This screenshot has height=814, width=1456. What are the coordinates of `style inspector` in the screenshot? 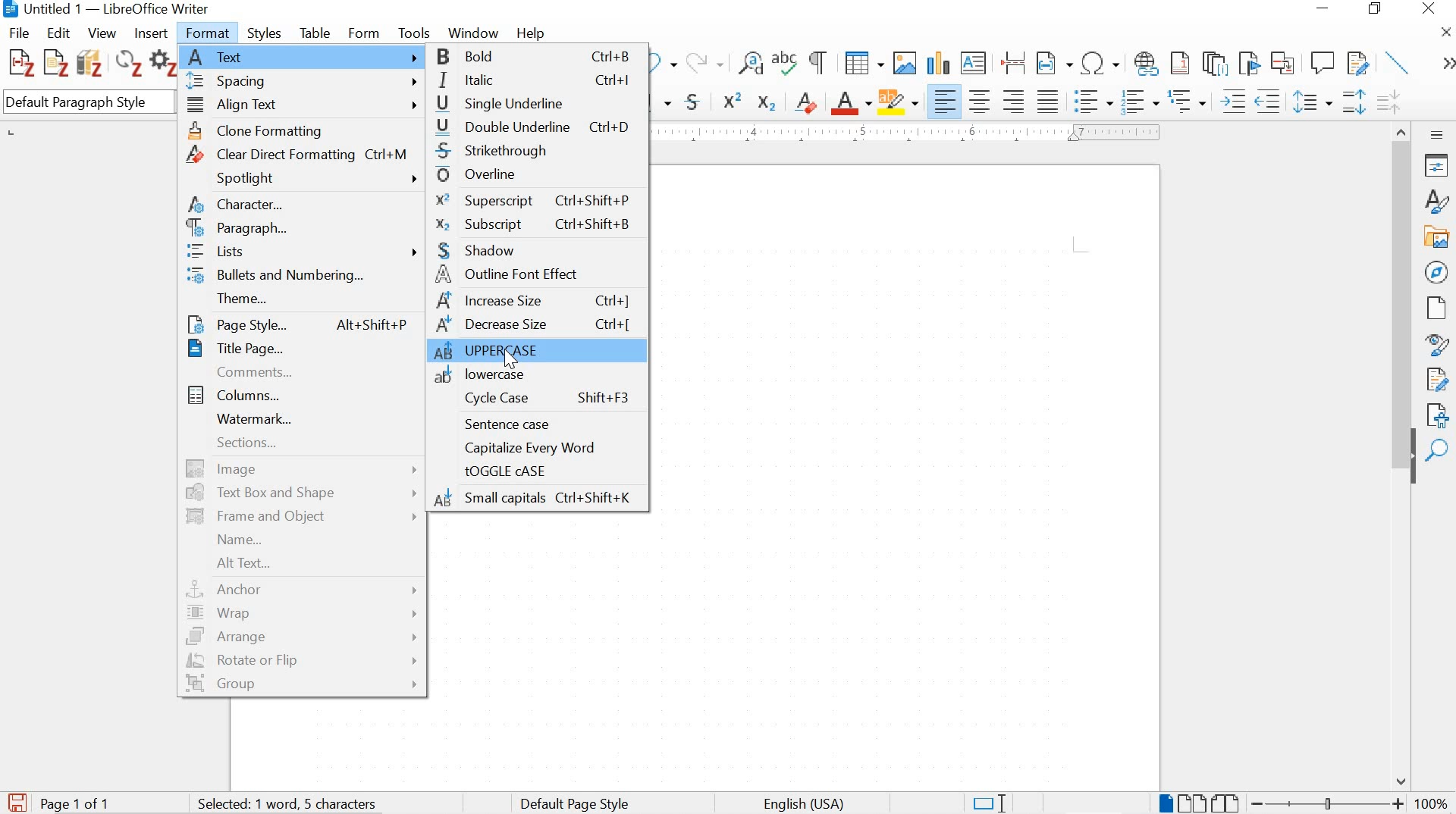 It's located at (1437, 346).